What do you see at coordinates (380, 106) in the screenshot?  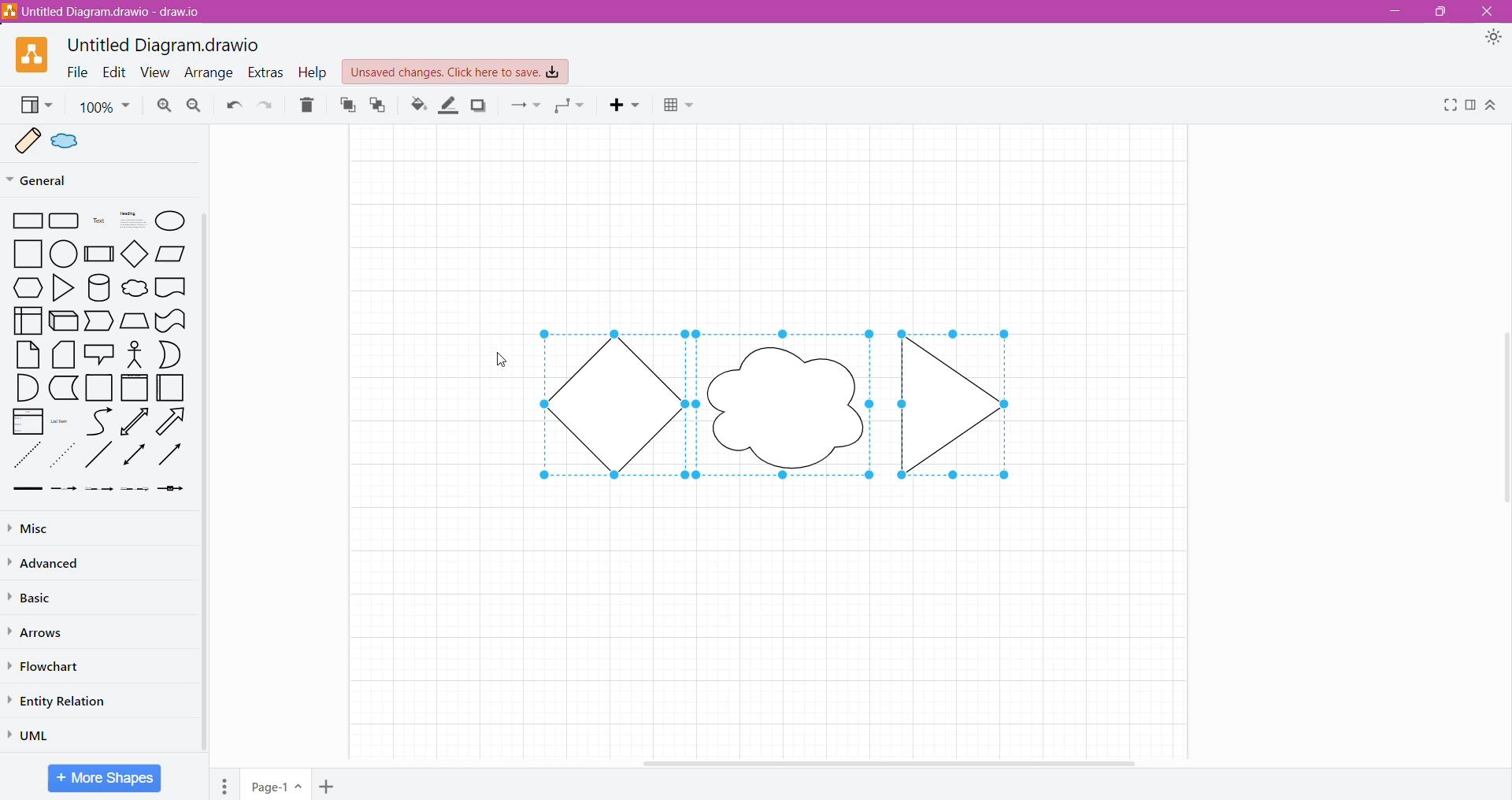 I see `To Back` at bounding box center [380, 106].